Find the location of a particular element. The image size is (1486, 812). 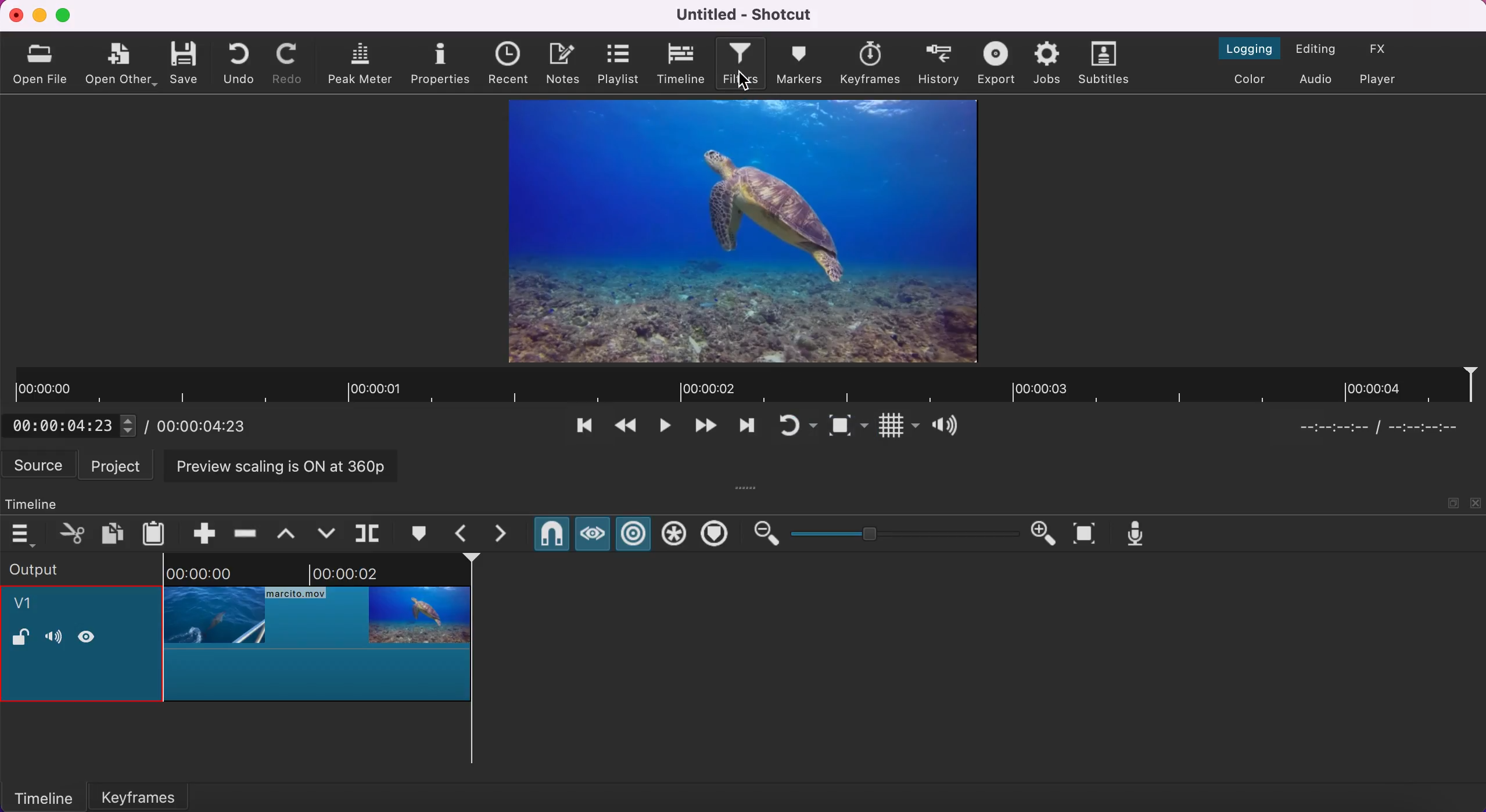

switch to the audio layout is located at coordinates (1319, 78).